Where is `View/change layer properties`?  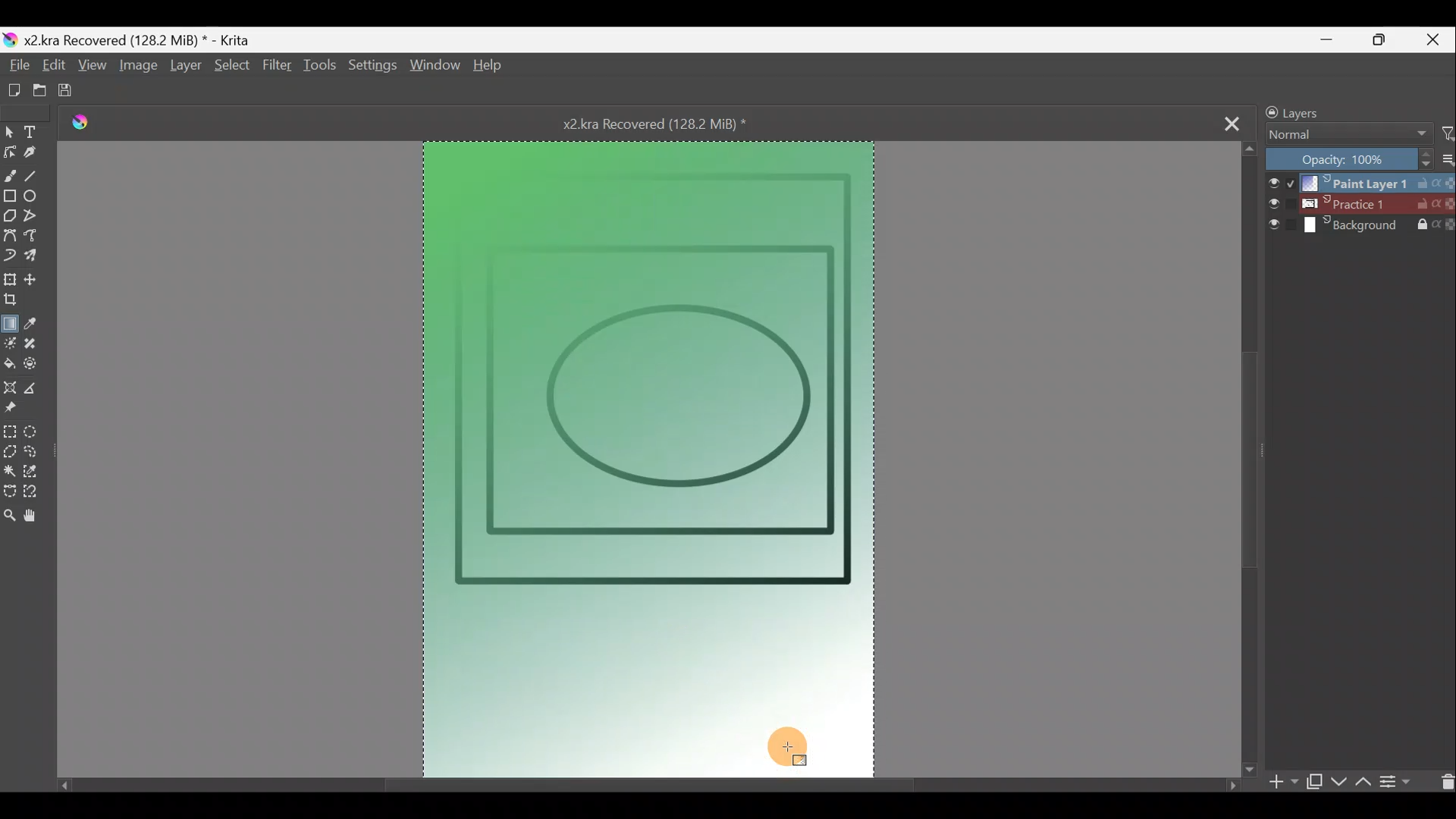
View/change layer properties is located at coordinates (1402, 780).